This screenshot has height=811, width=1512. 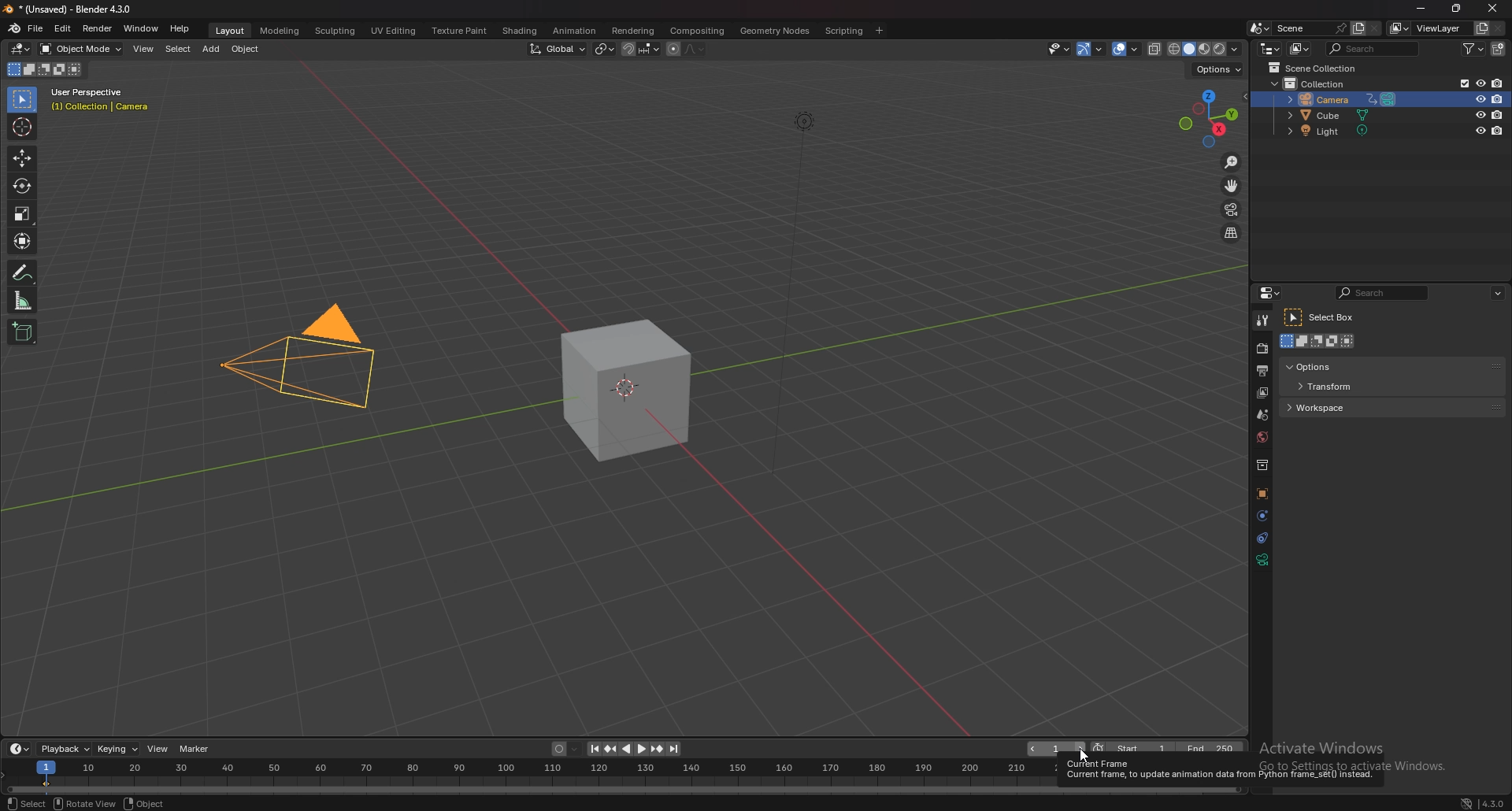 I want to click on shading, so click(x=520, y=30).